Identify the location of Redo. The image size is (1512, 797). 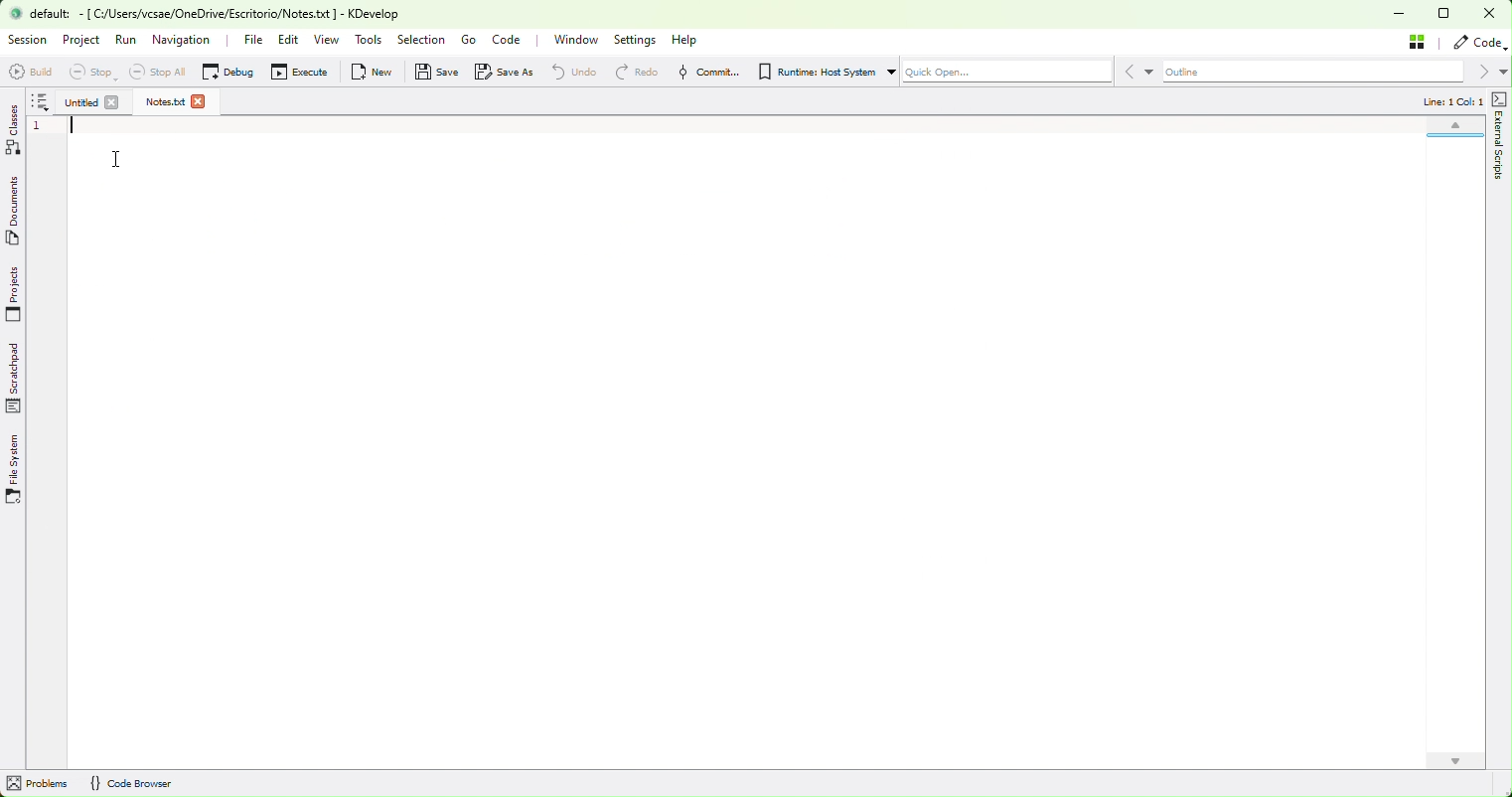
(567, 72).